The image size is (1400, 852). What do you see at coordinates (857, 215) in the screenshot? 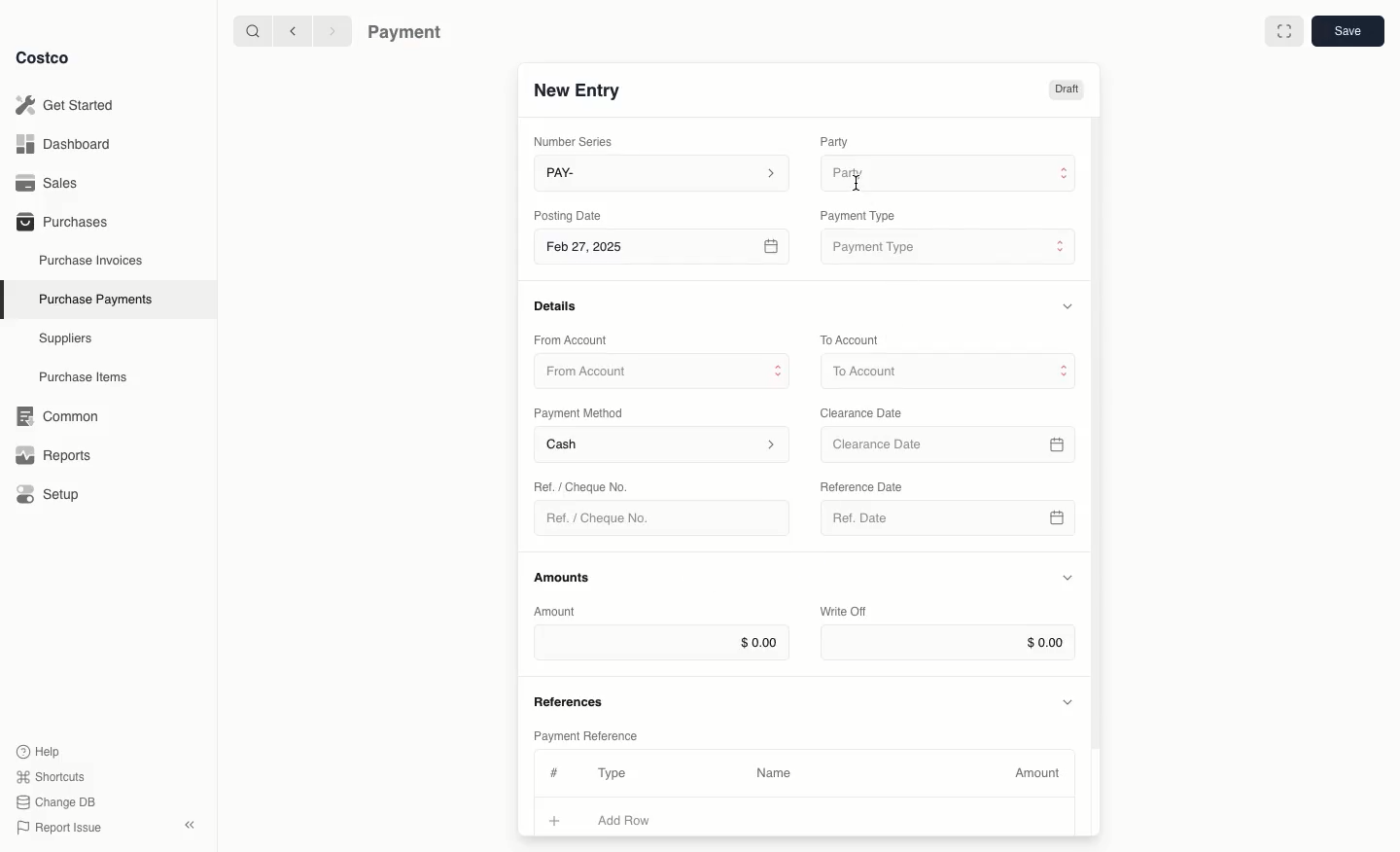
I see `‘Payment Type` at bounding box center [857, 215].